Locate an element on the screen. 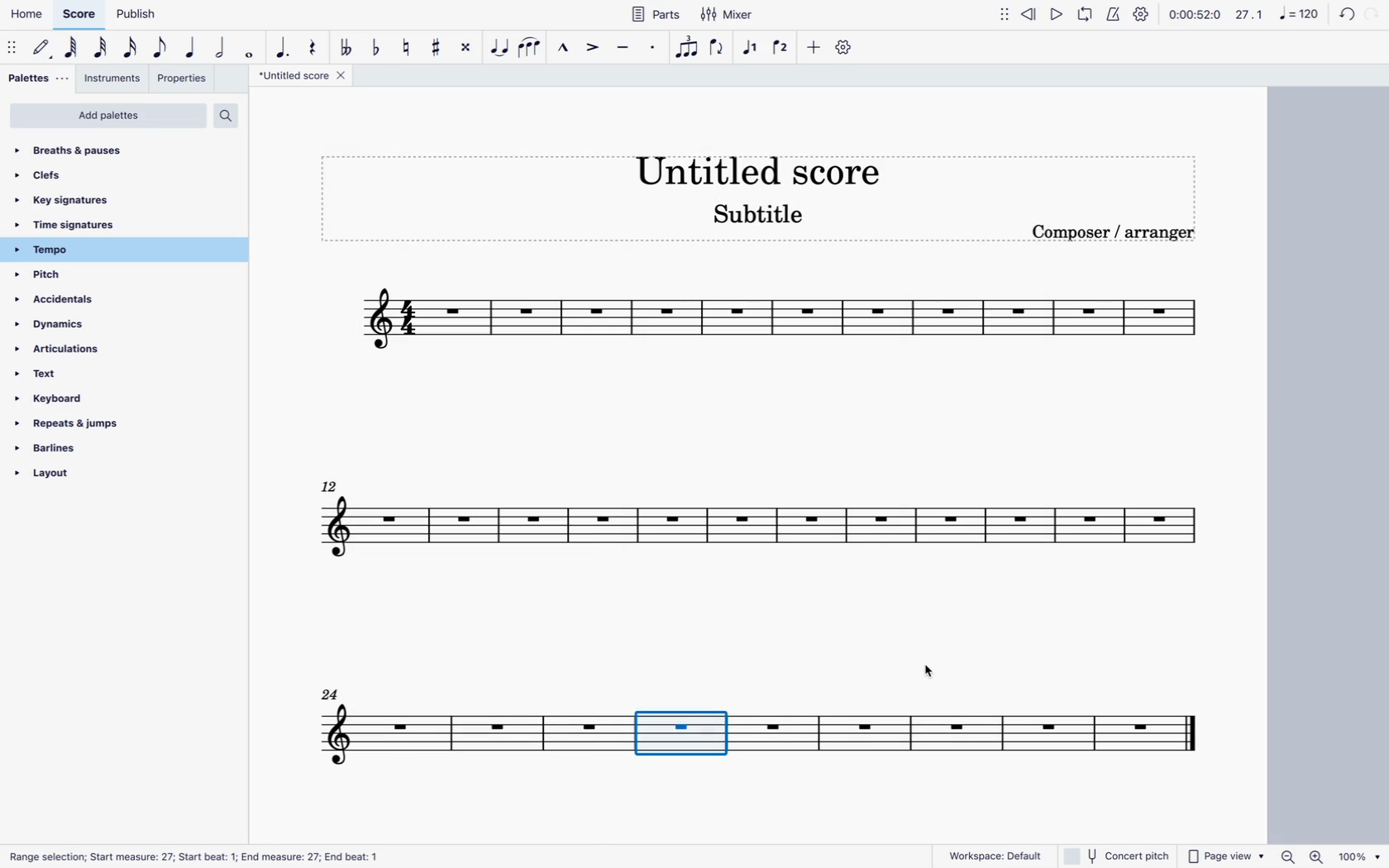  full note is located at coordinates (250, 48).